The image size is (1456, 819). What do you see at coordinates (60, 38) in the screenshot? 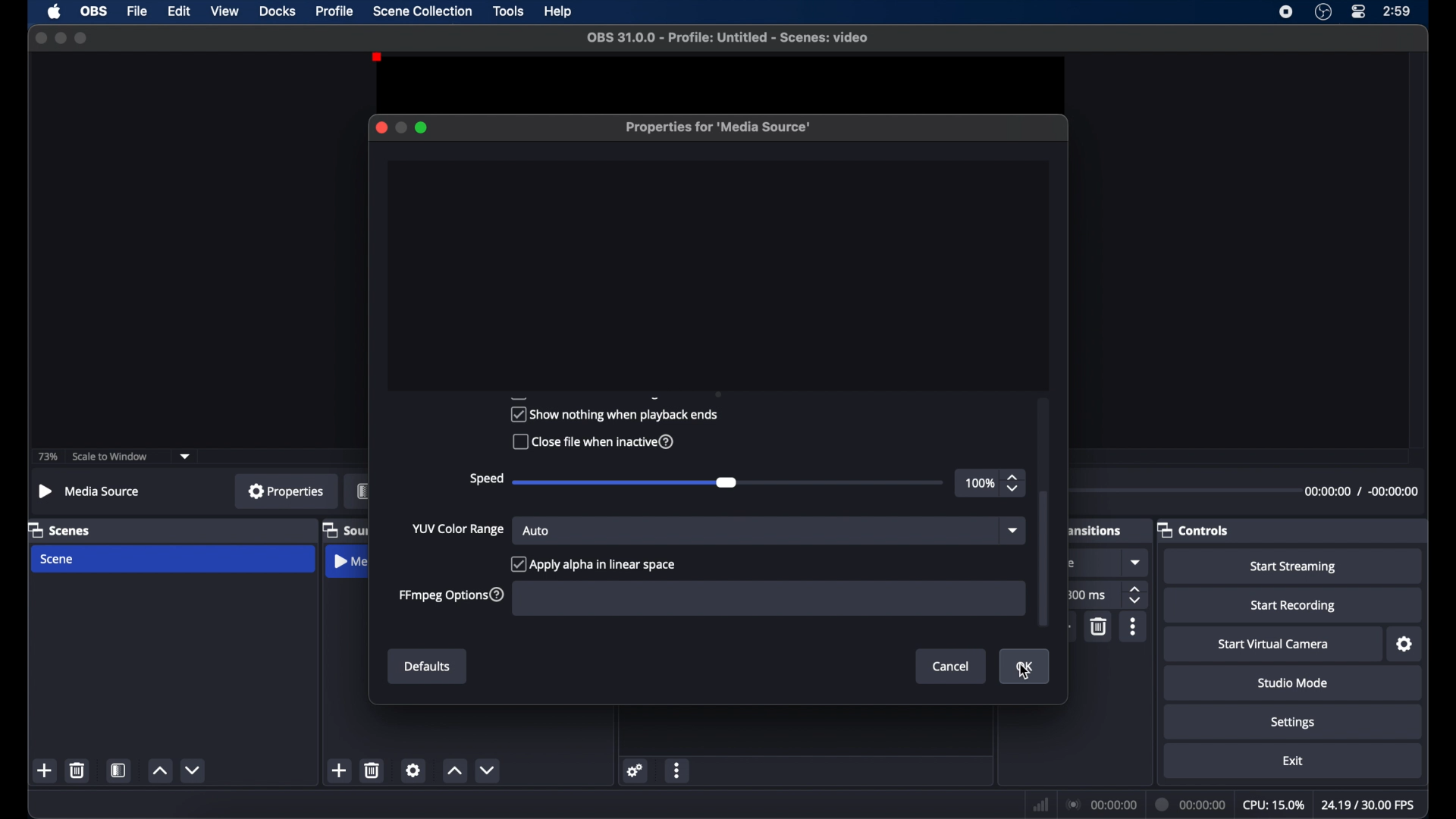
I see `minimize` at bounding box center [60, 38].